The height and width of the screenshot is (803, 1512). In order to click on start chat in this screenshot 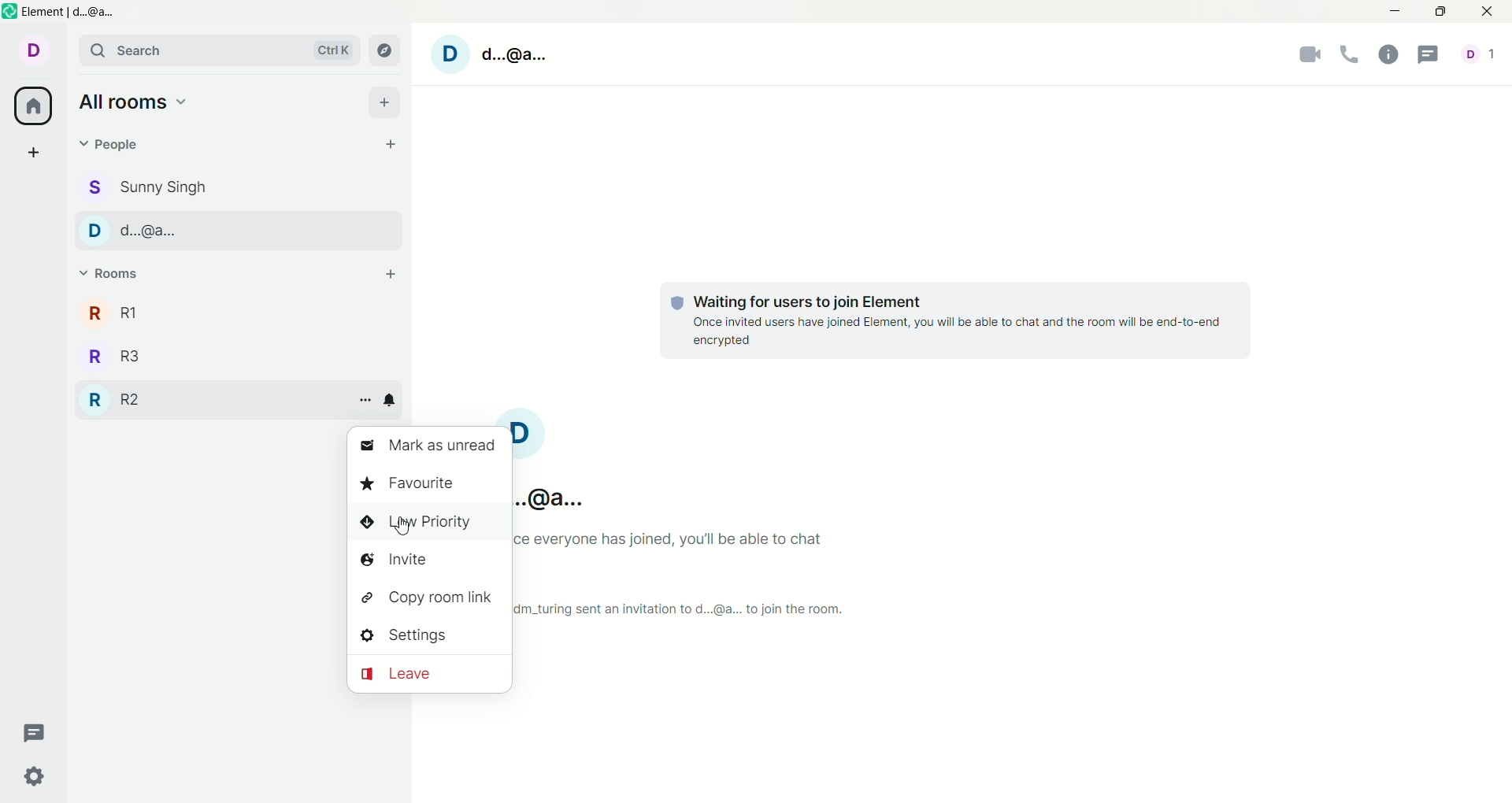, I will do `click(393, 146)`.